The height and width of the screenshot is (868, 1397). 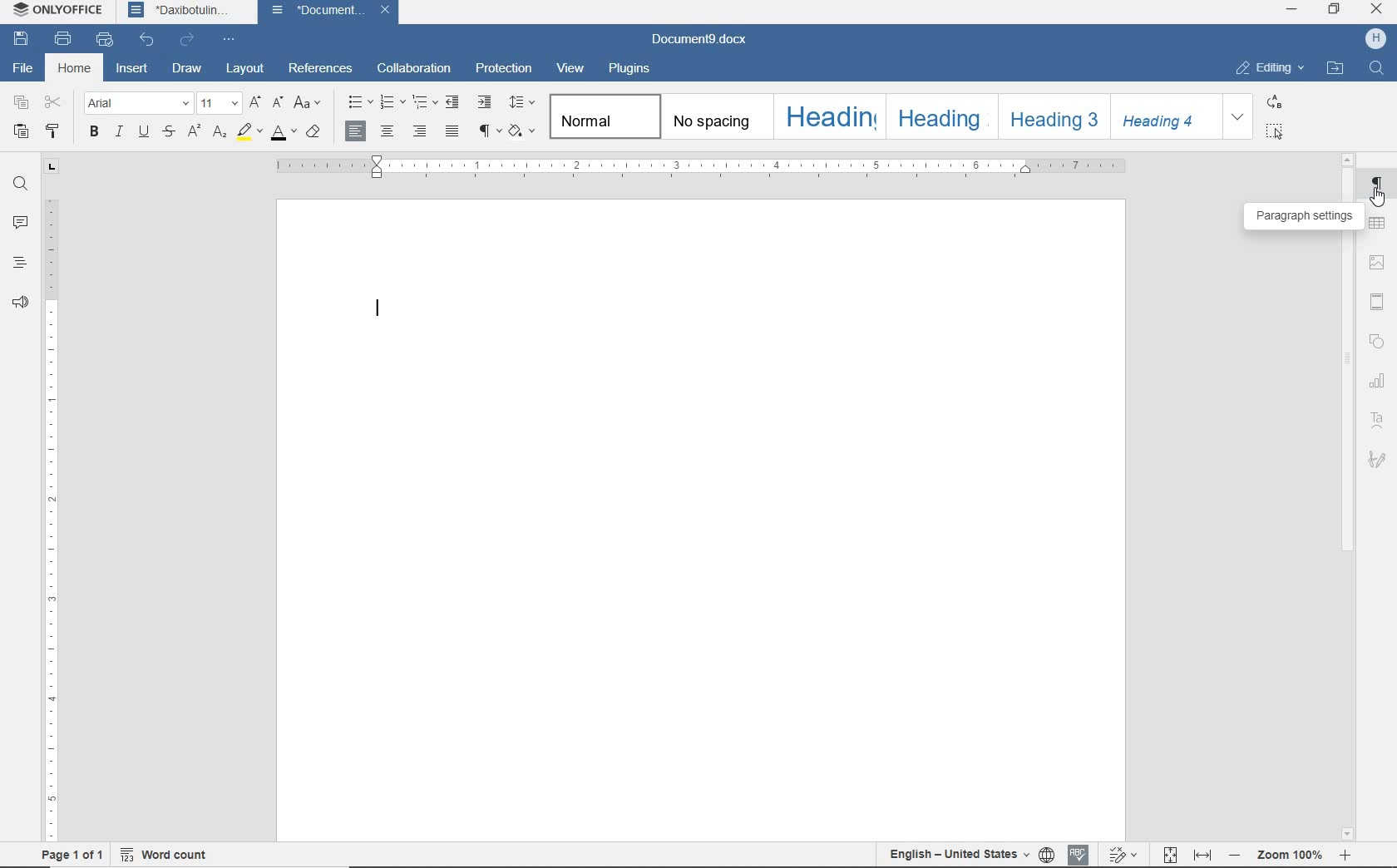 I want to click on SELECT ALL, so click(x=1276, y=131).